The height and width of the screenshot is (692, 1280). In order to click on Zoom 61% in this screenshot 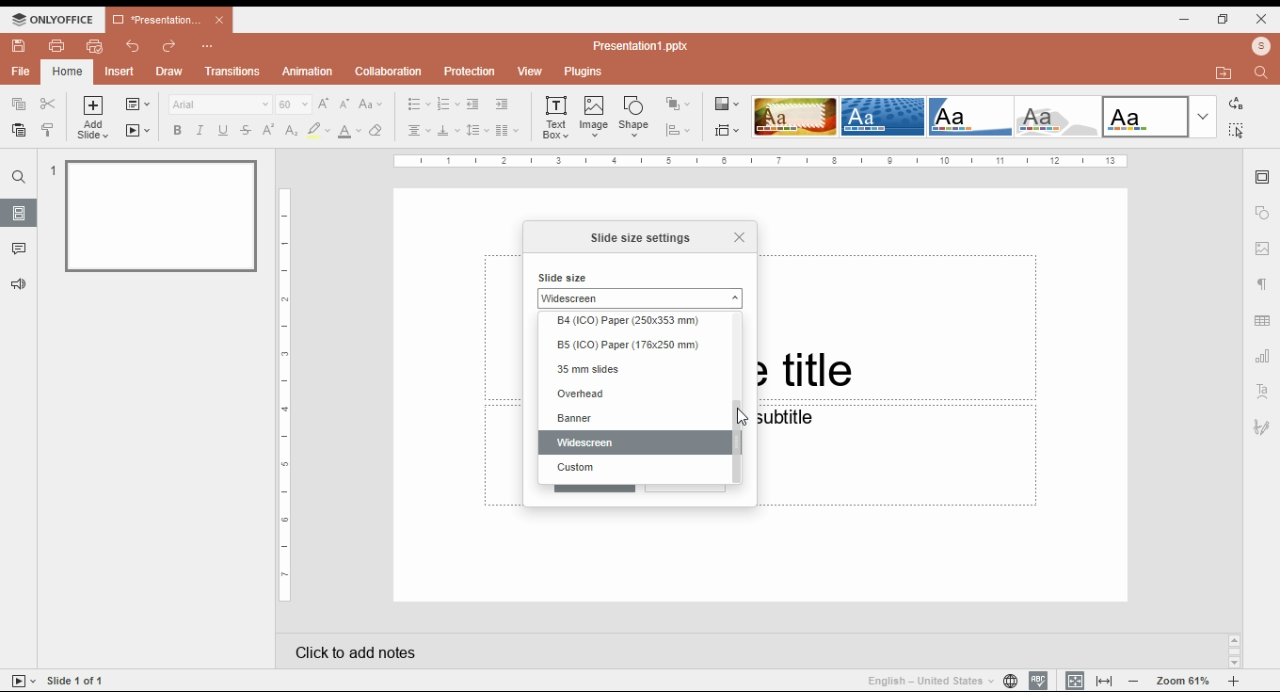, I will do `click(1185, 679)`.